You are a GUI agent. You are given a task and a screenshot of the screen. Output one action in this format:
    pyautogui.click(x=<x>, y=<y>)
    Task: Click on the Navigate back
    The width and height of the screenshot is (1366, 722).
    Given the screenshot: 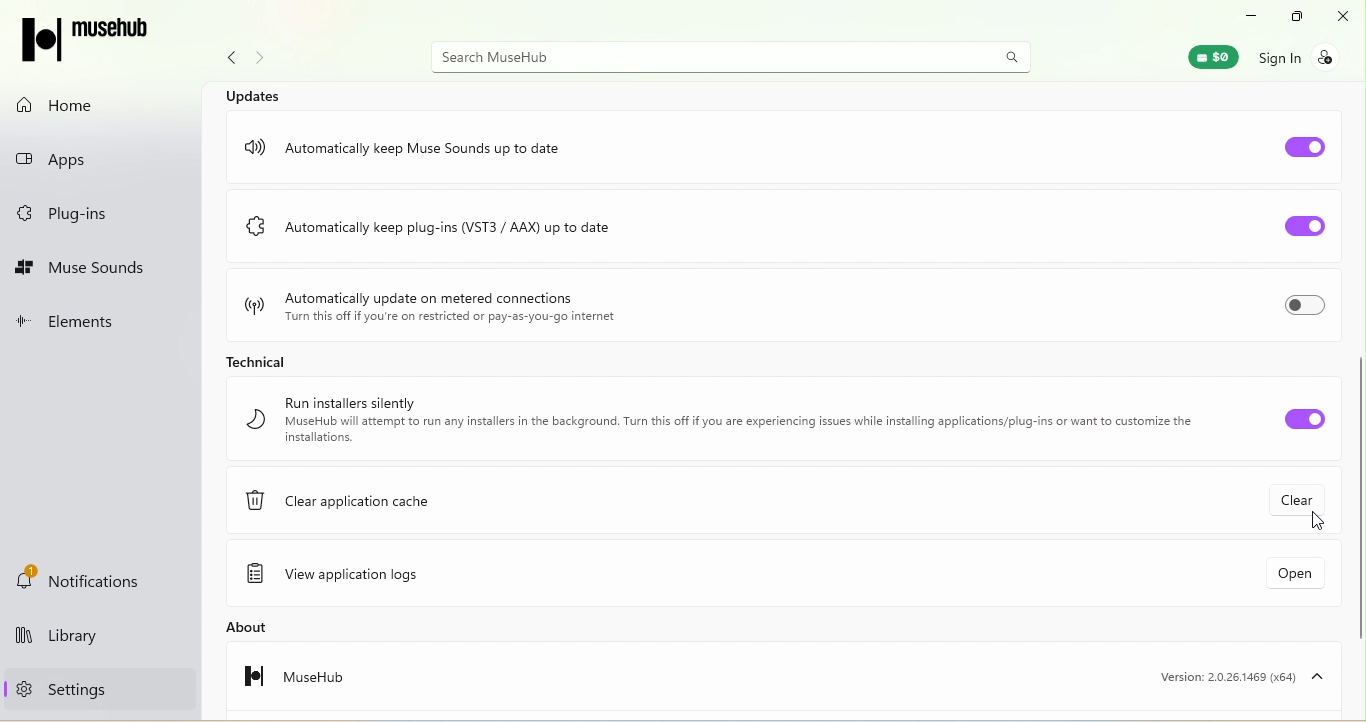 What is the action you would take?
    pyautogui.click(x=226, y=61)
    